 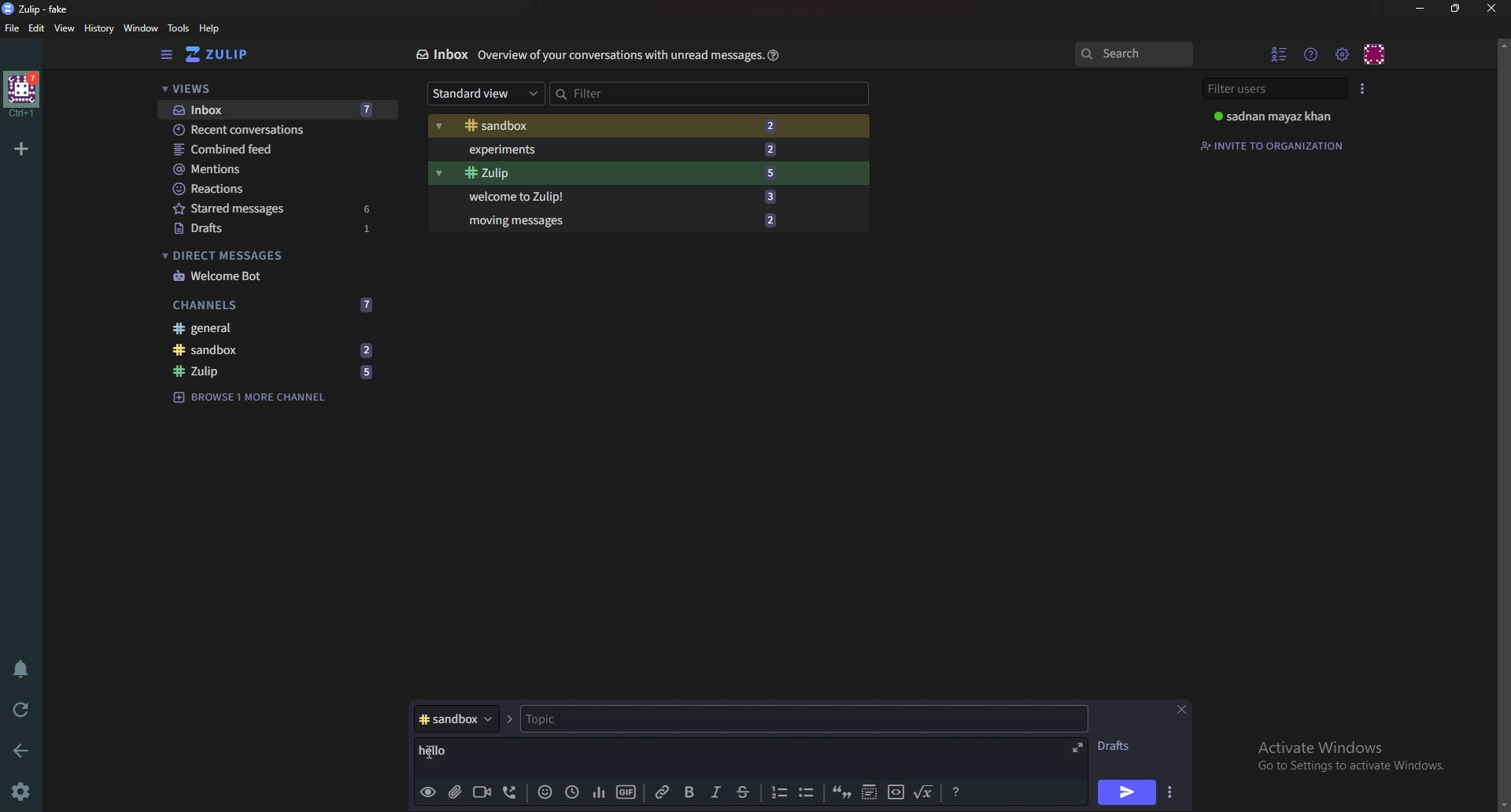 What do you see at coordinates (222, 54) in the screenshot?
I see `Home view` at bounding box center [222, 54].